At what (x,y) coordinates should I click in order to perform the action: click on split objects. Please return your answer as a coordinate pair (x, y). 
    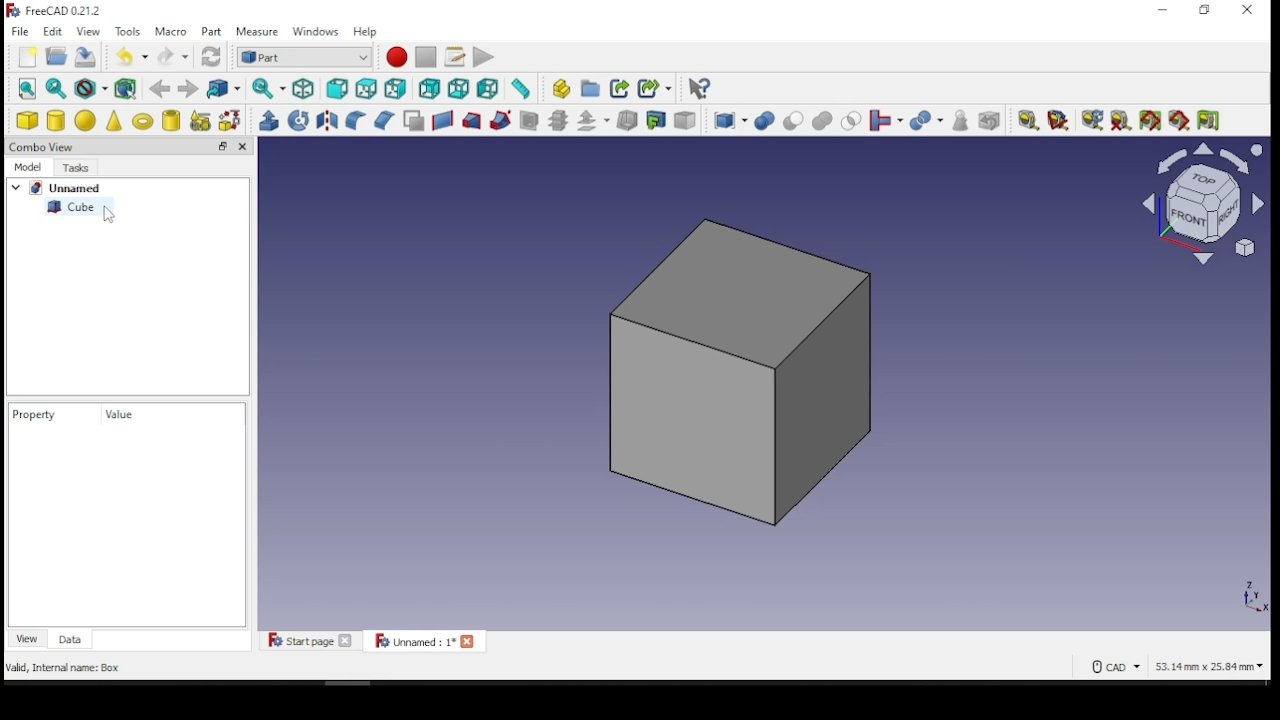
    Looking at the image, I should click on (927, 122).